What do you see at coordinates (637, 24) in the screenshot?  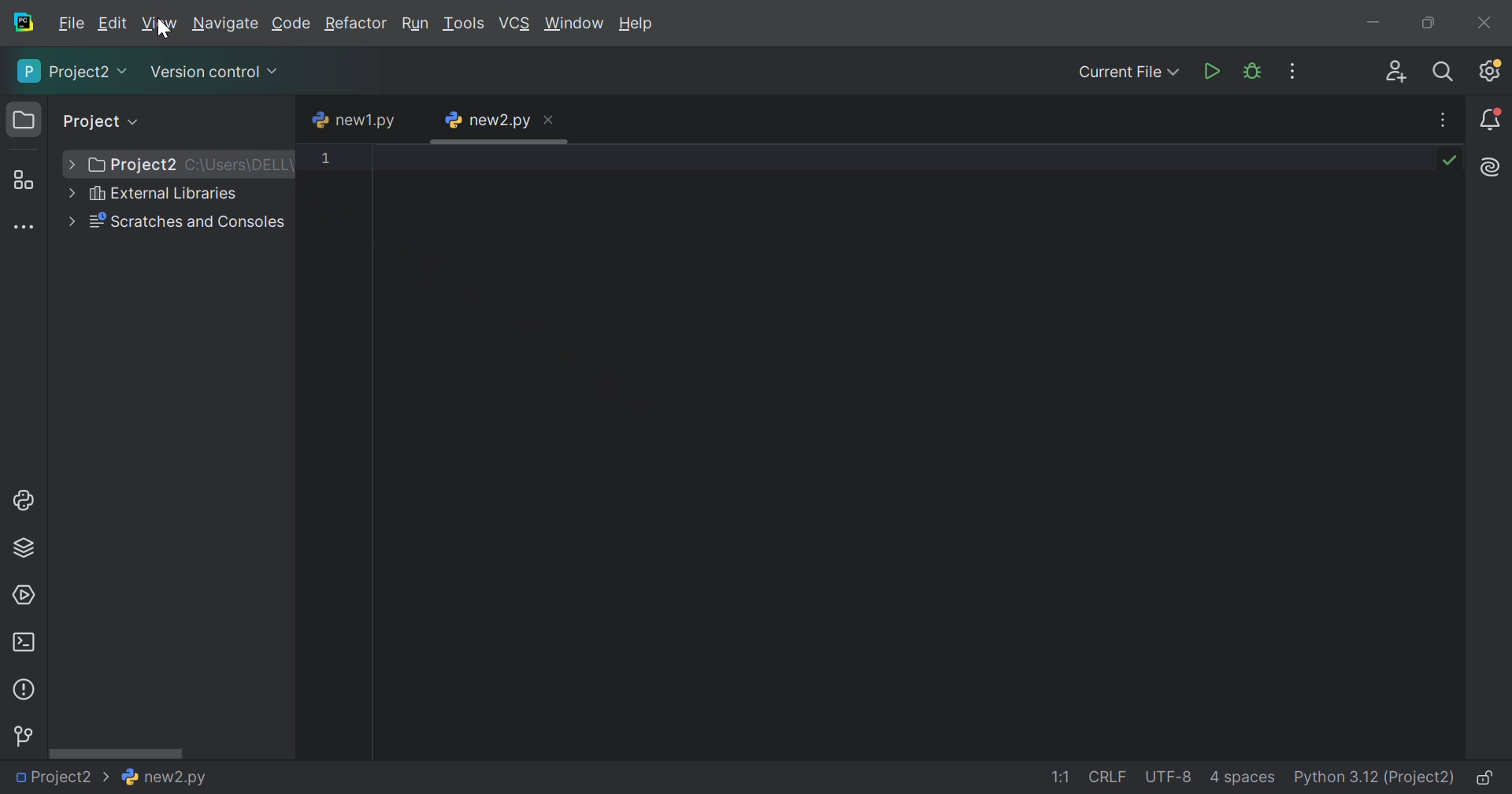 I see `Help` at bounding box center [637, 24].